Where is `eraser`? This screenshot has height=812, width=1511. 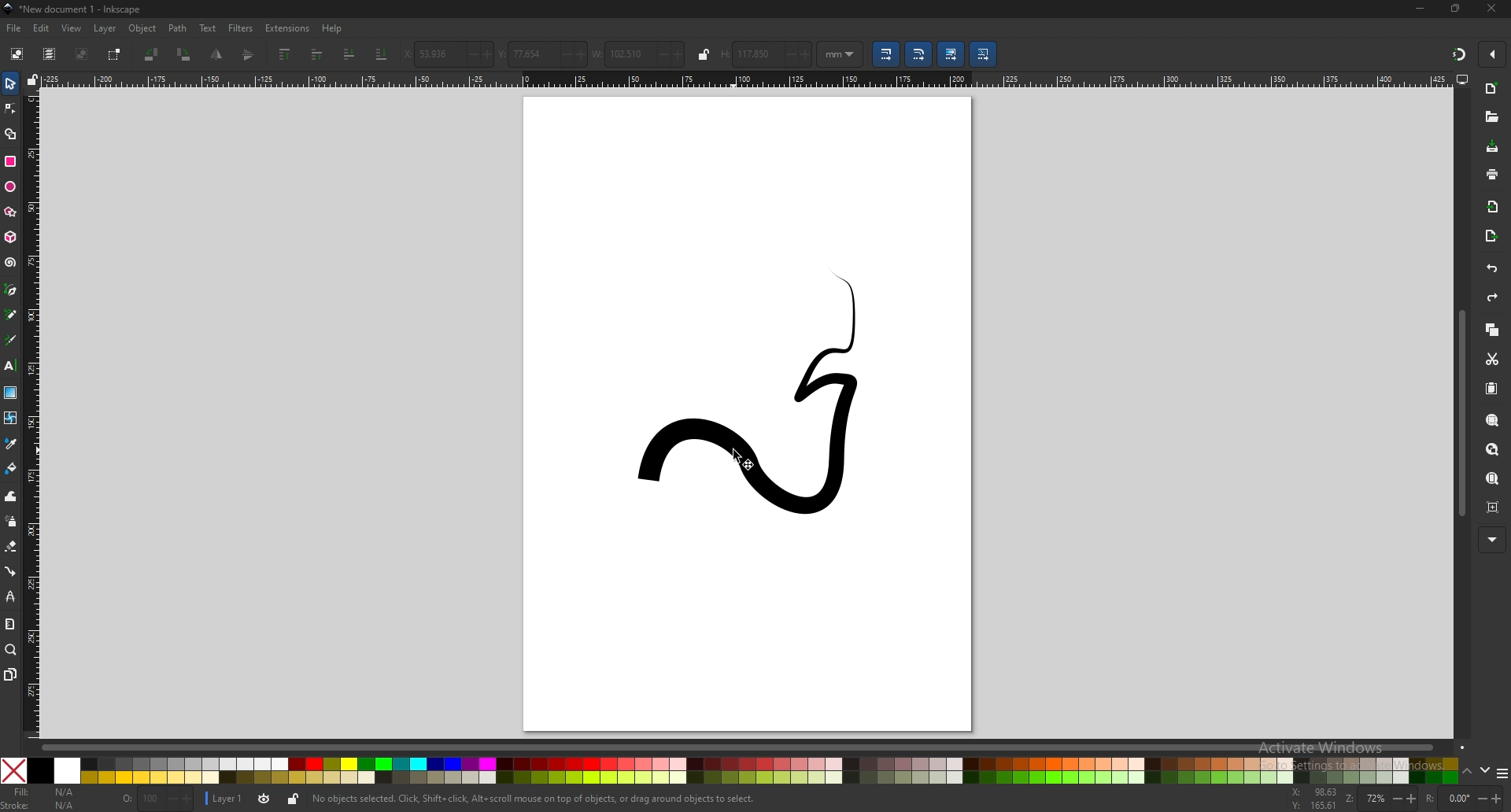
eraser is located at coordinates (10, 546).